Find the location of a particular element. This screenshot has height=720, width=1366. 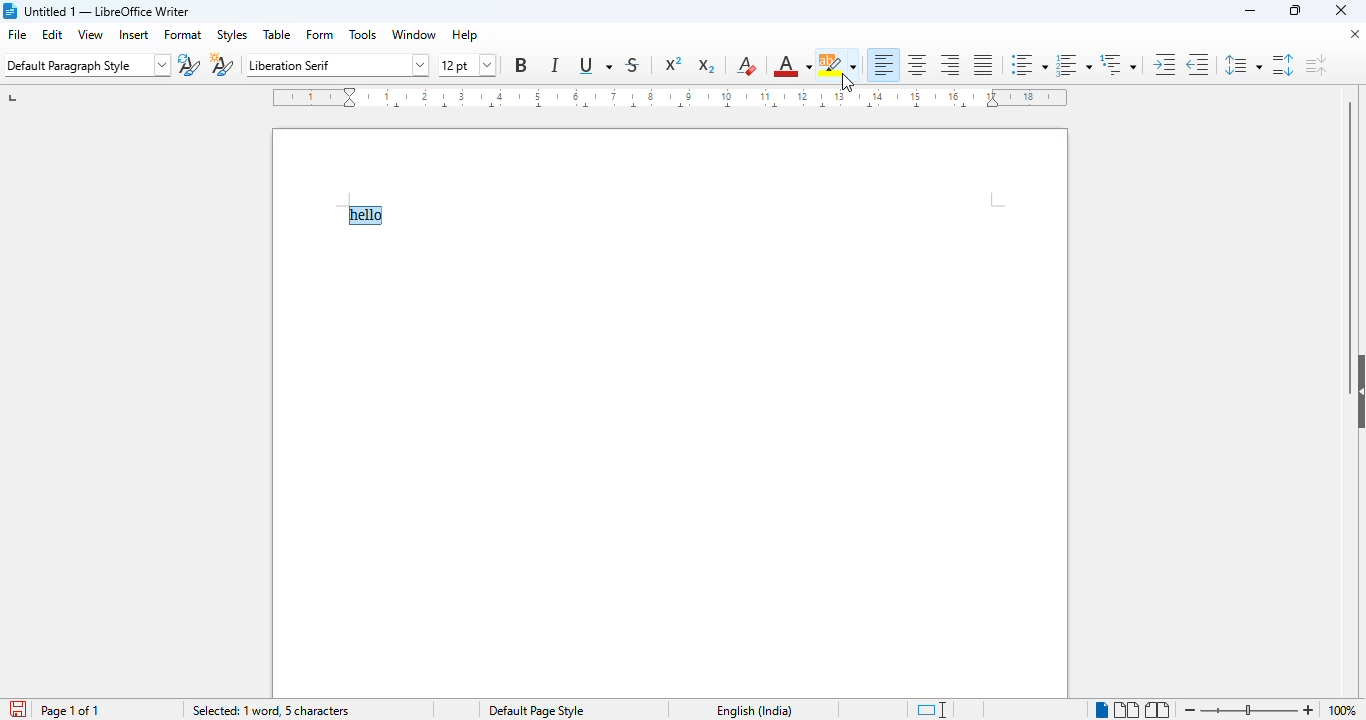

minimize is located at coordinates (1252, 11).